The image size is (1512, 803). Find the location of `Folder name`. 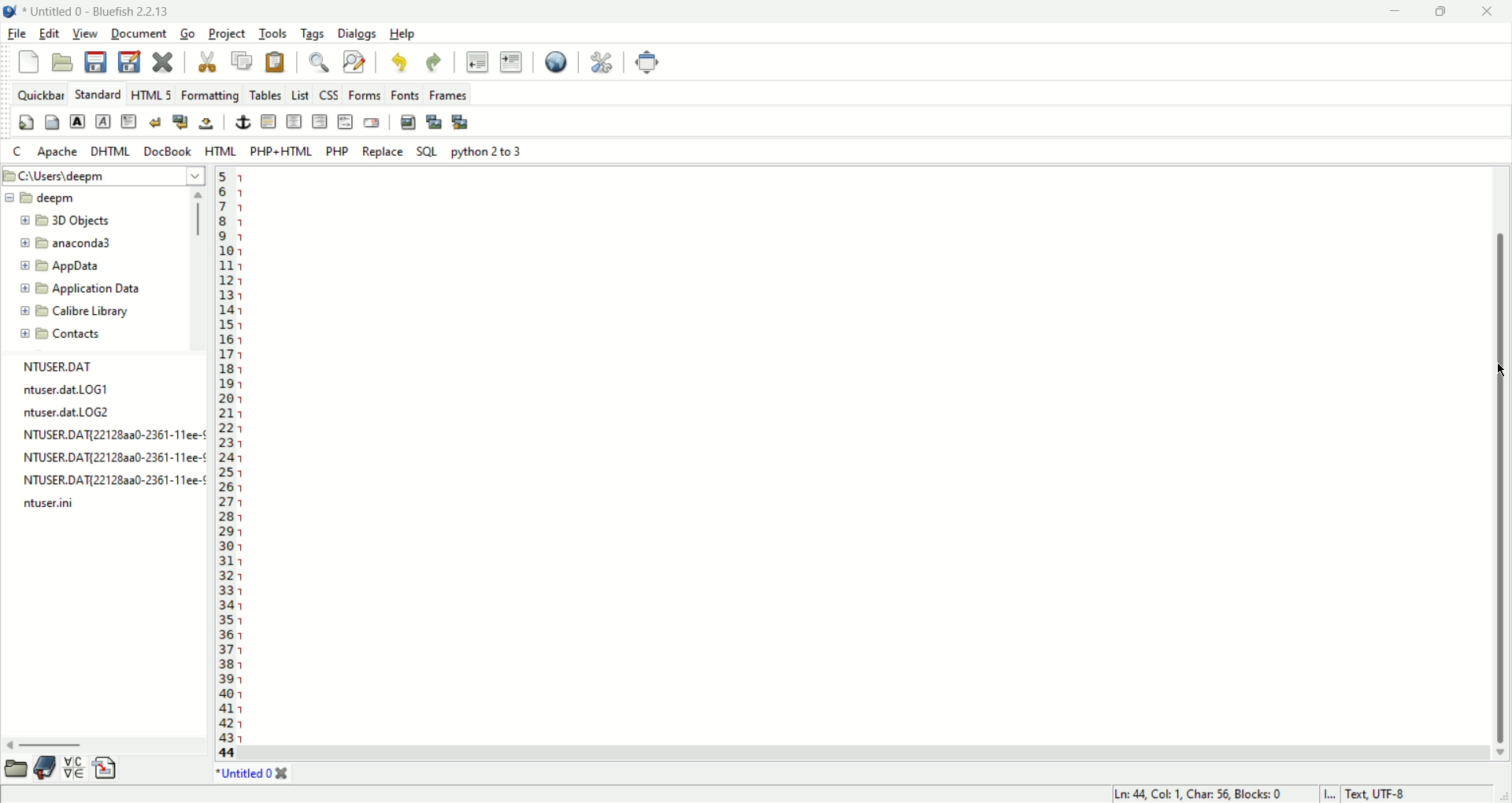

Folder name is located at coordinates (75, 221).